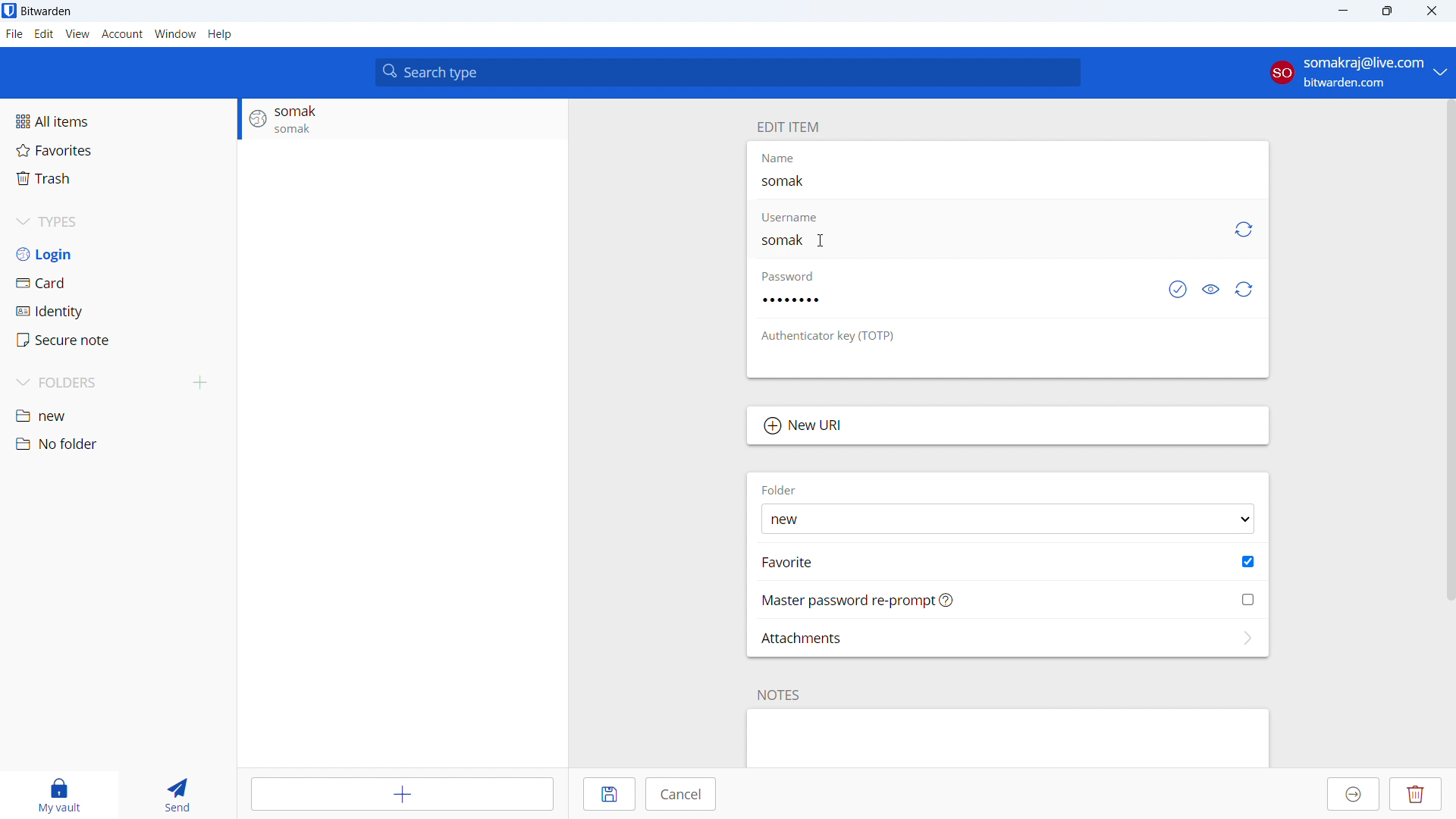 The image size is (1456, 819). I want to click on delete entry, so click(1417, 794).